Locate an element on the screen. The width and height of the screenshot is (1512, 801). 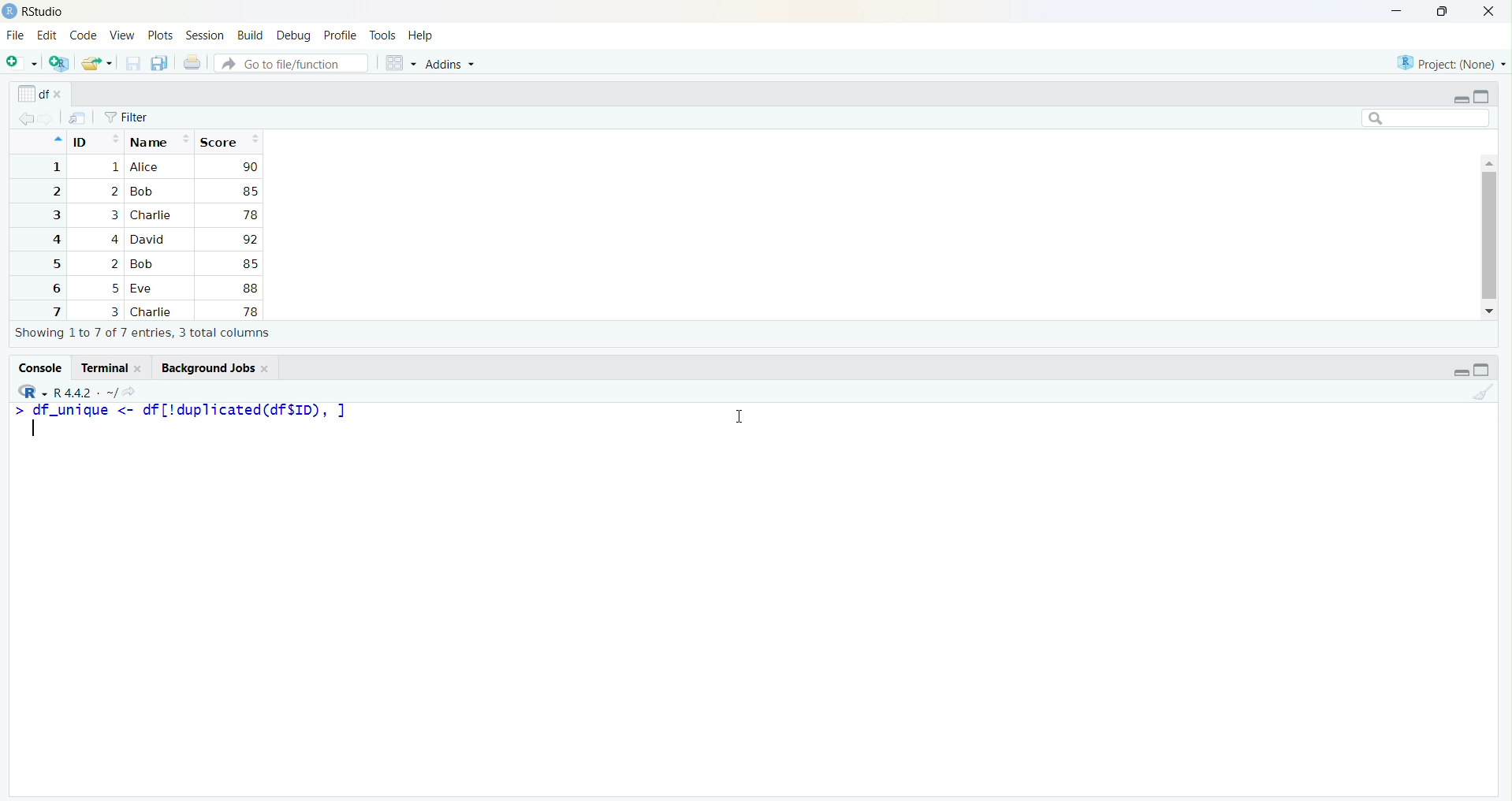
Project (None) is located at coordinates (1448, 64).